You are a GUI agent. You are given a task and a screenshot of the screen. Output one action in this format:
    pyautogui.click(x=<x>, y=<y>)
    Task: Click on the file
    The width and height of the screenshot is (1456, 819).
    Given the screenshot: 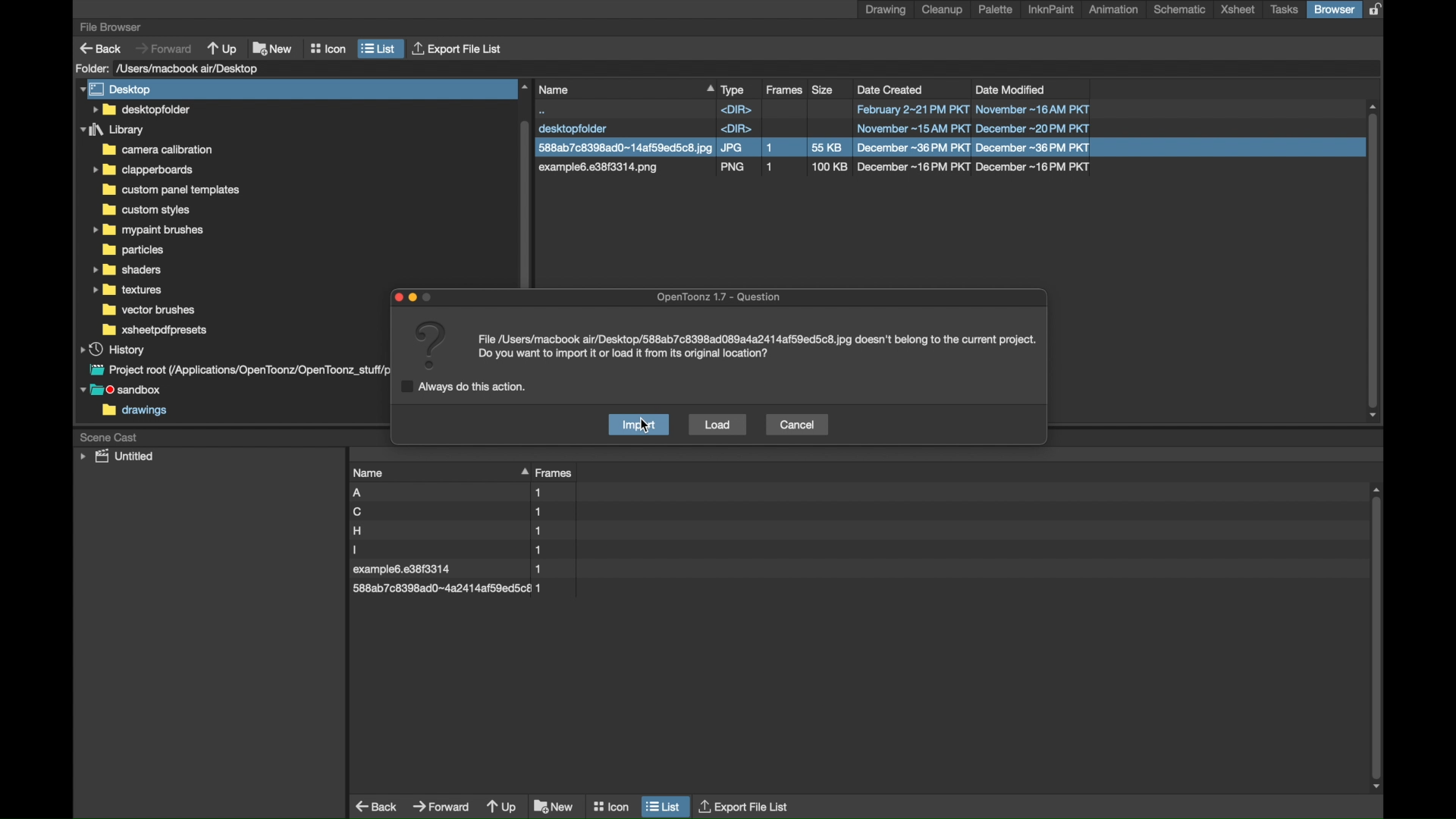 What is the action you would take?
    pyautogui.click(x=447, y=588)
    